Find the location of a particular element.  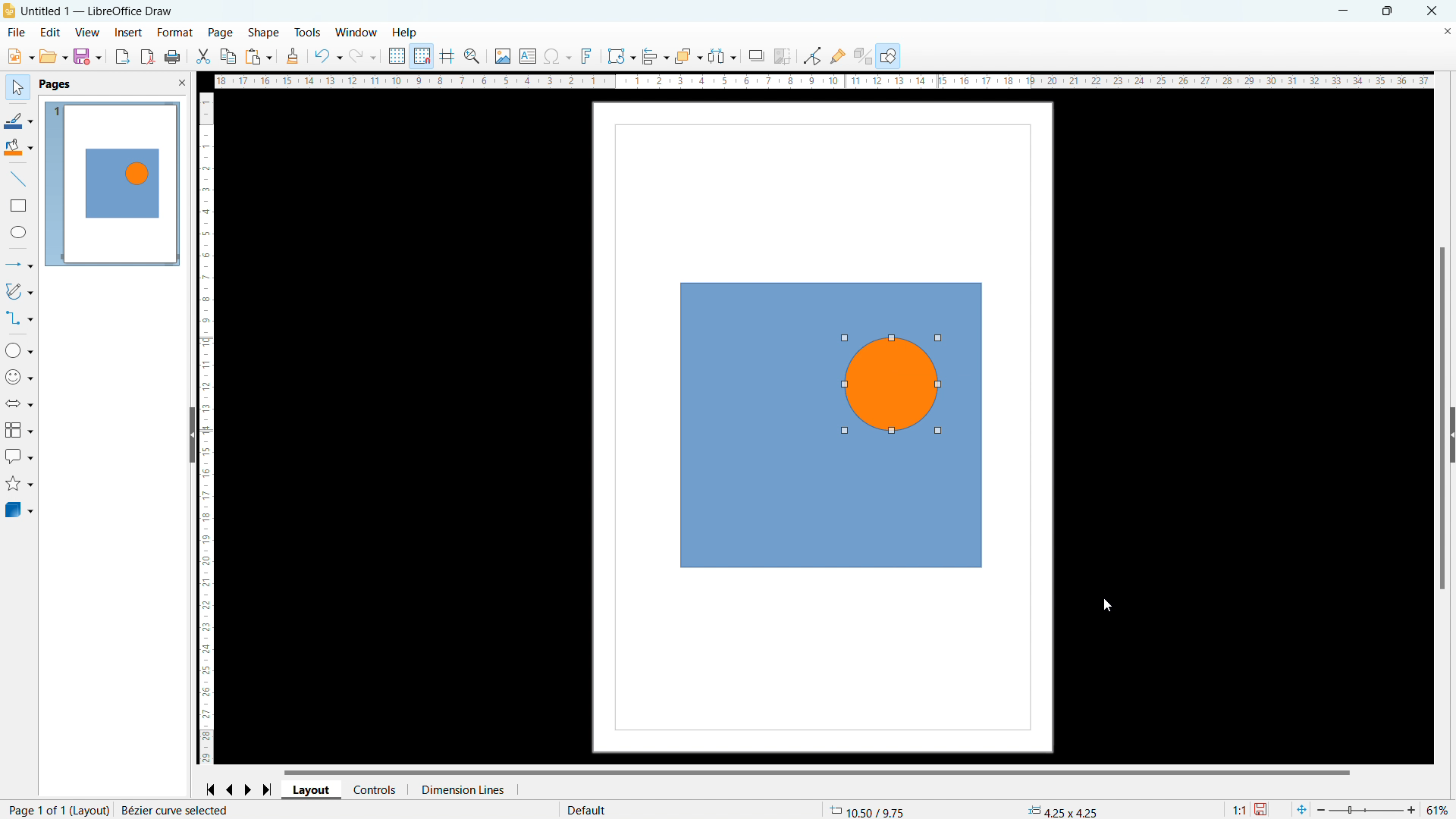

save is located at coordinates (1263, 808).